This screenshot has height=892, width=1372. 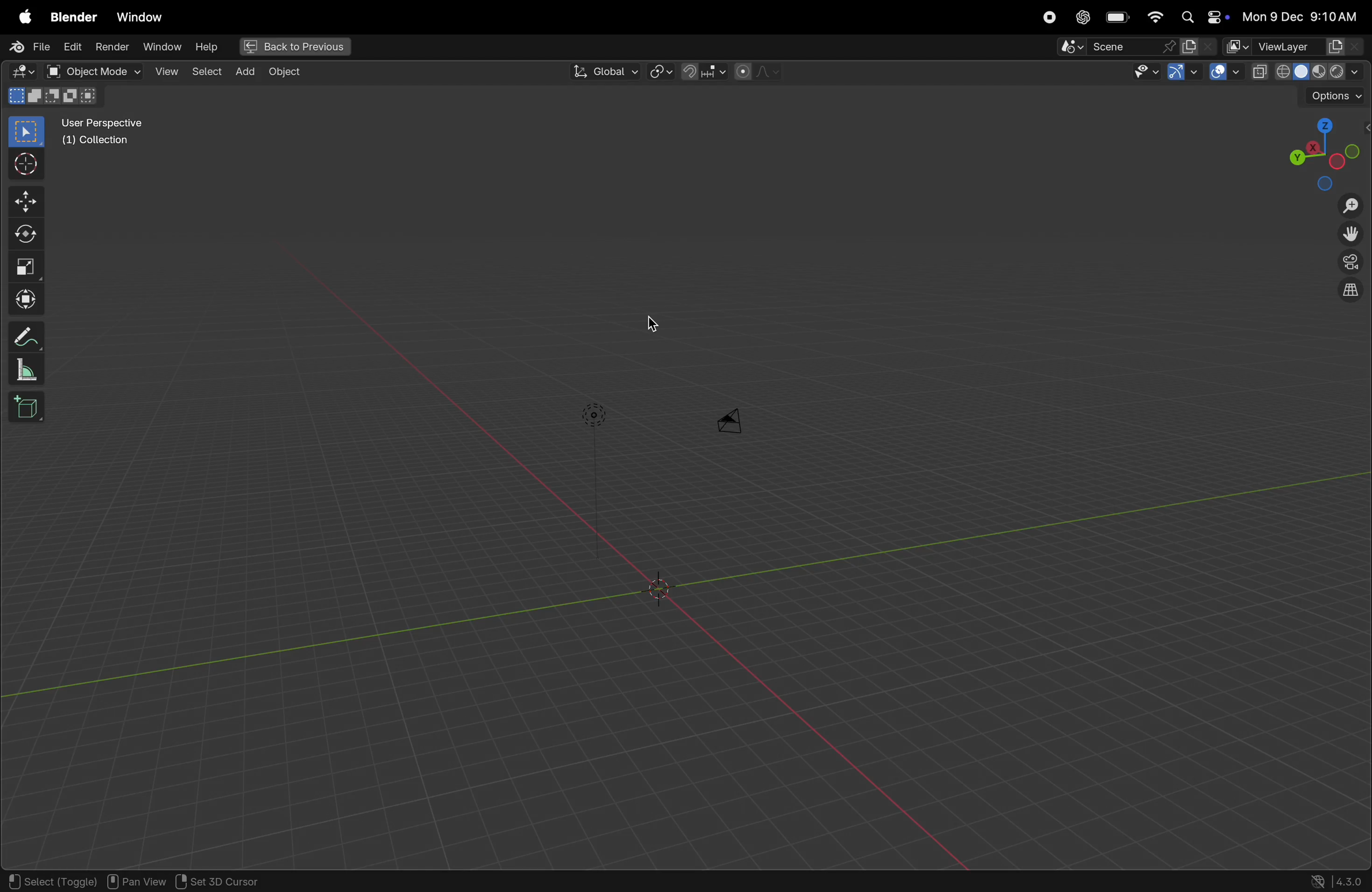 I want to click on pan view, so click(x=138, y=880).